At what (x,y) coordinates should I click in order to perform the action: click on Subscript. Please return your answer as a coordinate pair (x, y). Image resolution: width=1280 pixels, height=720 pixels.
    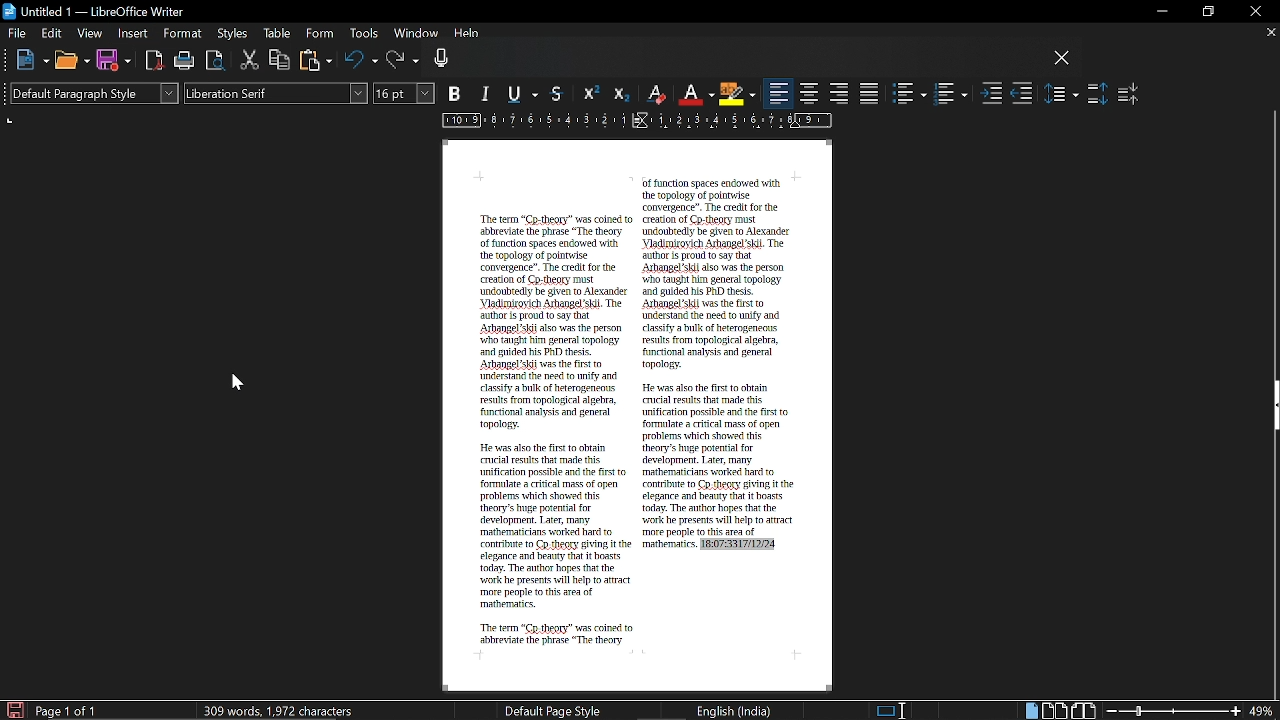
    Looking at the image, I should click on (619, 94).